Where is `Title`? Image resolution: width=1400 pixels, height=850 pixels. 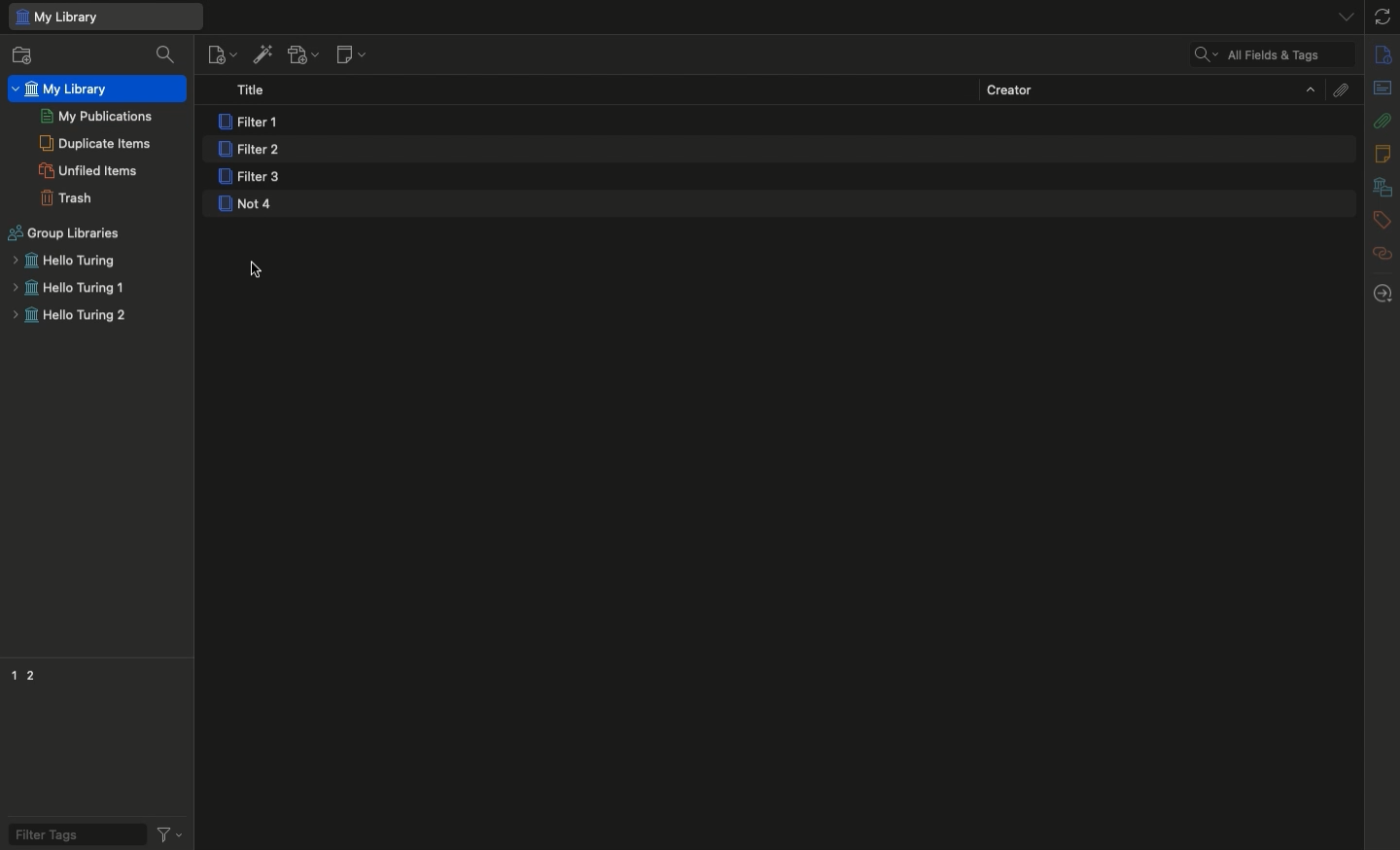
Title is located at coordinates (257, 91).